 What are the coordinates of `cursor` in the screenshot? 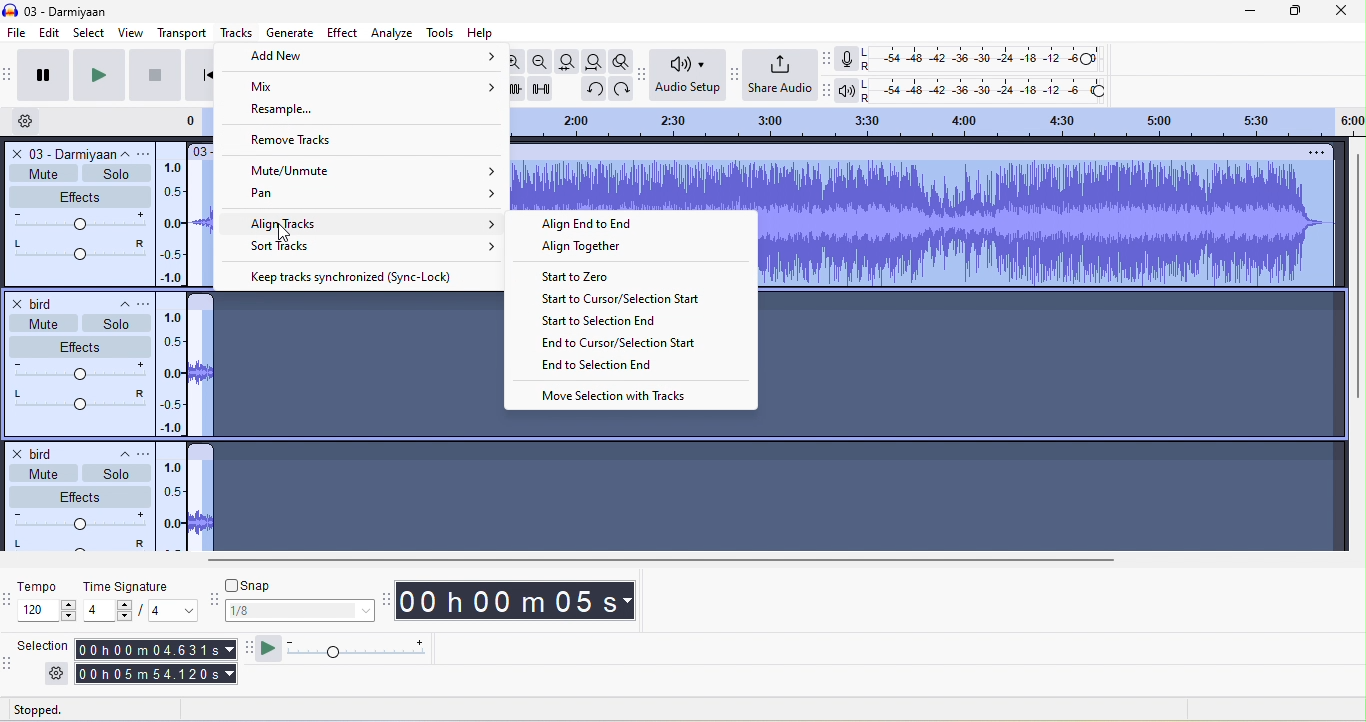 It's located at (285, 233).